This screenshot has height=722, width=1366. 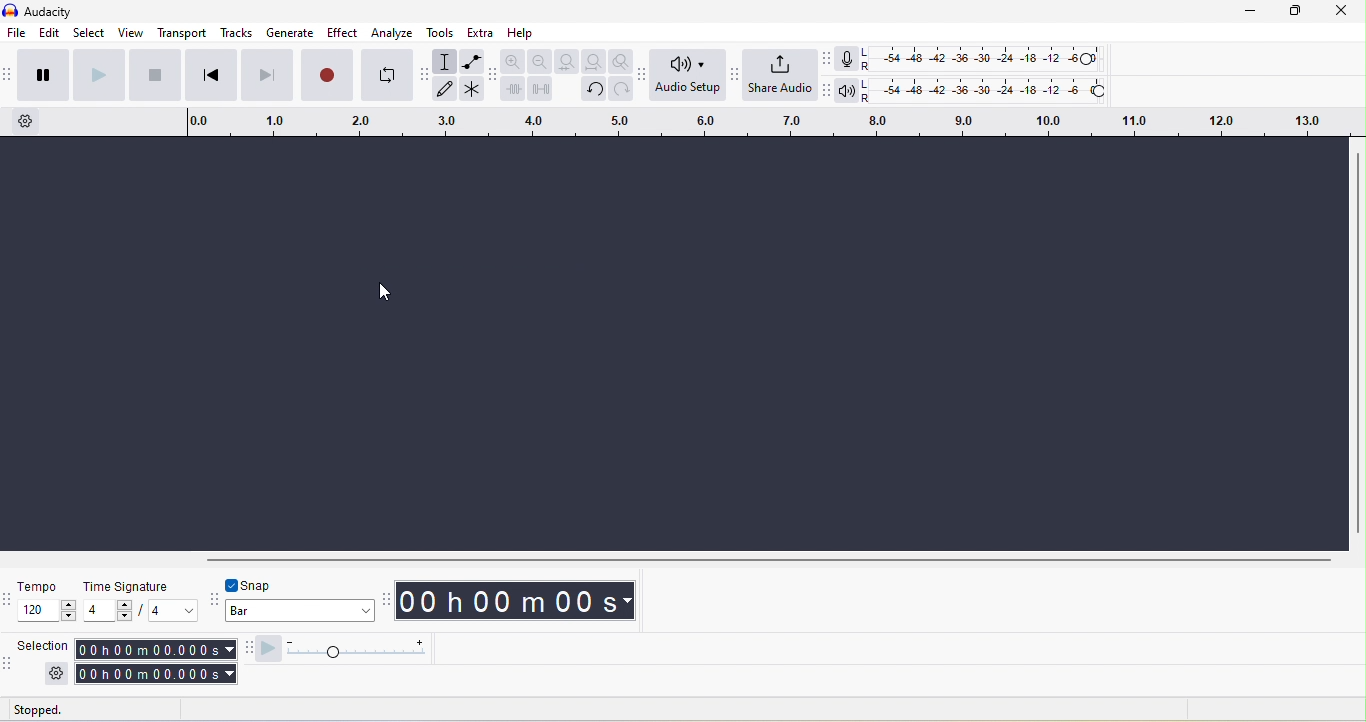 I want to click on record, so click(x=326, y=75).